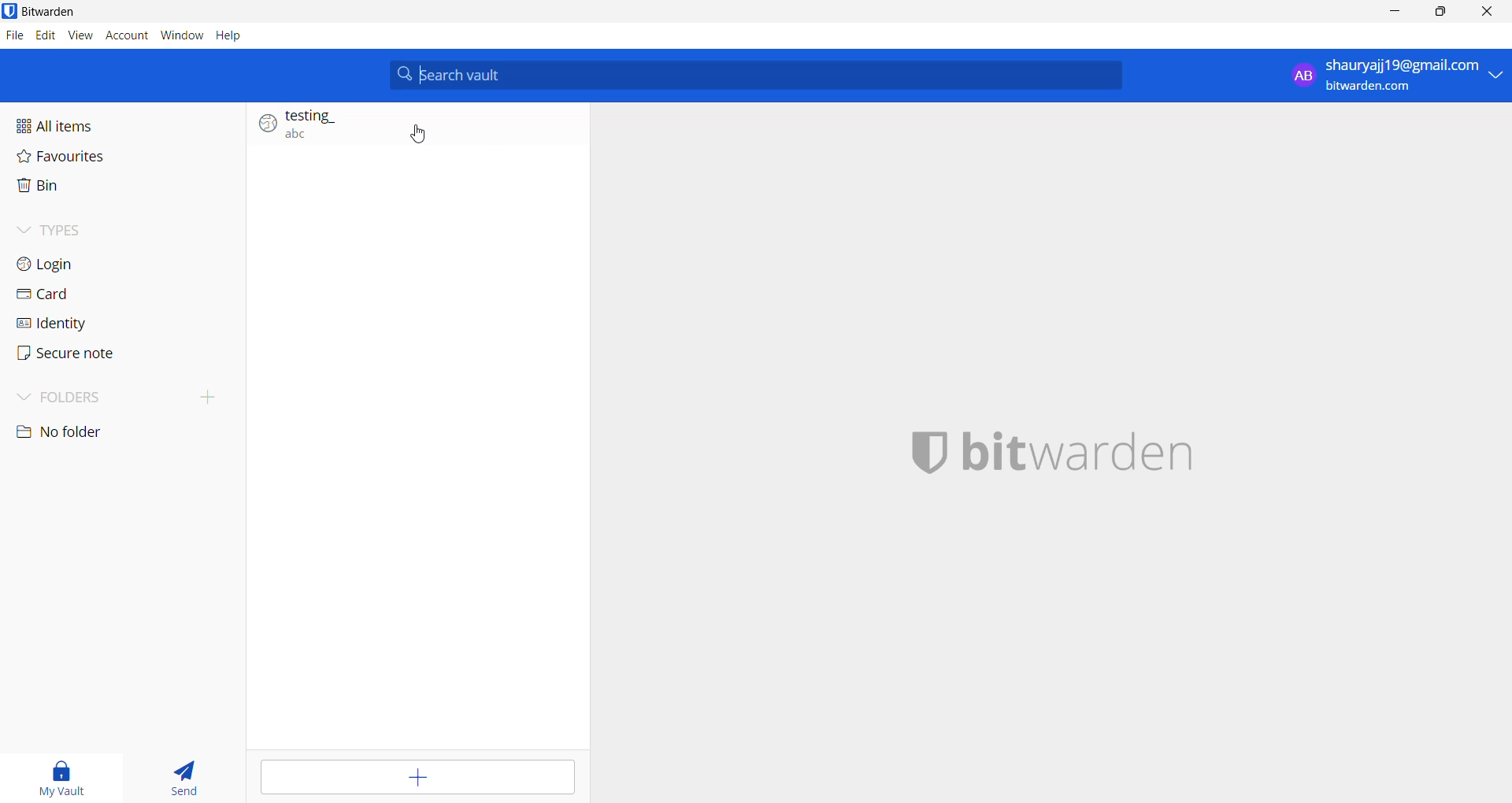  I want to click on create folder, so click(214, 396).